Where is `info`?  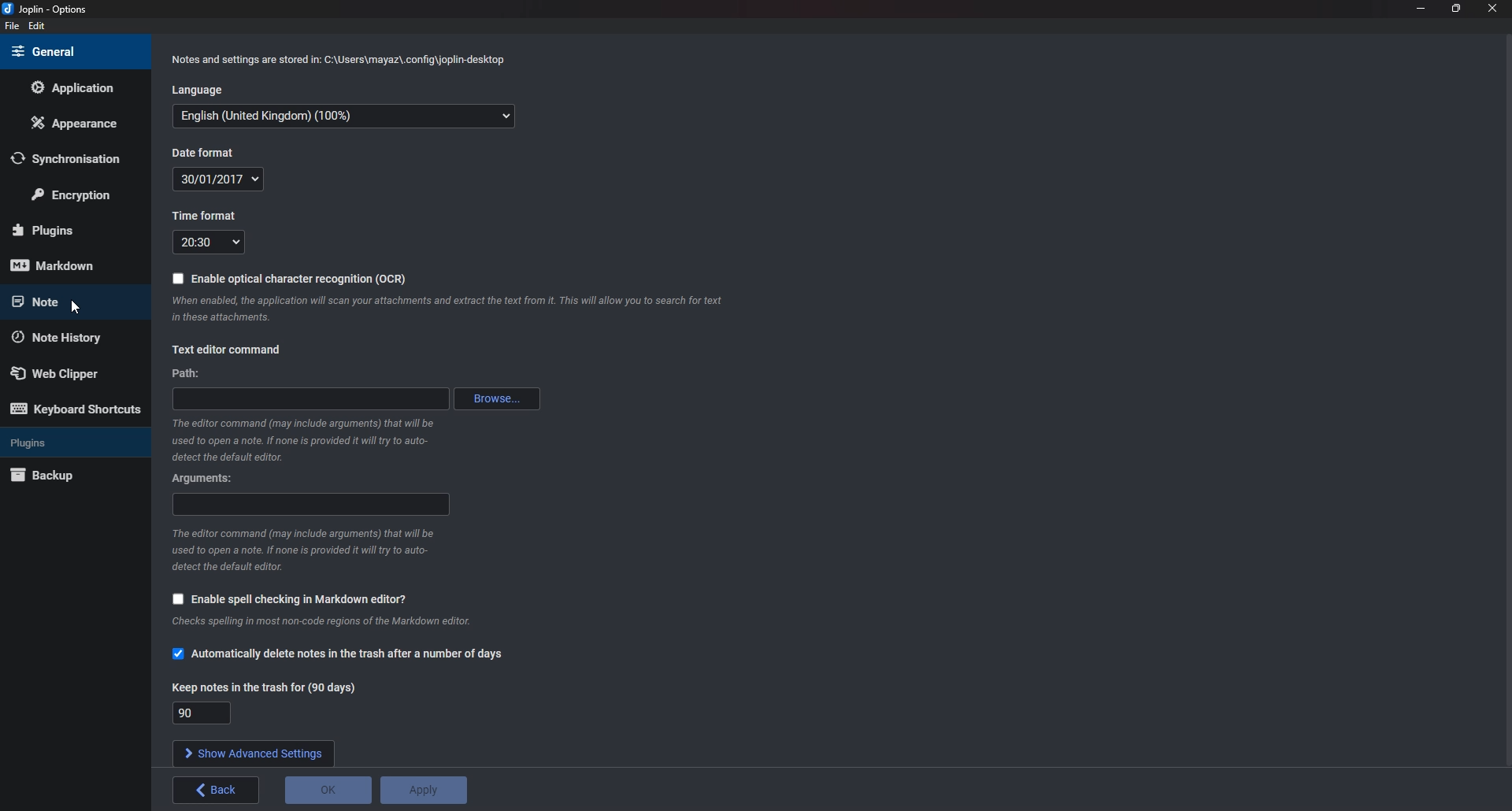 info is located at coordinates (329, 624).